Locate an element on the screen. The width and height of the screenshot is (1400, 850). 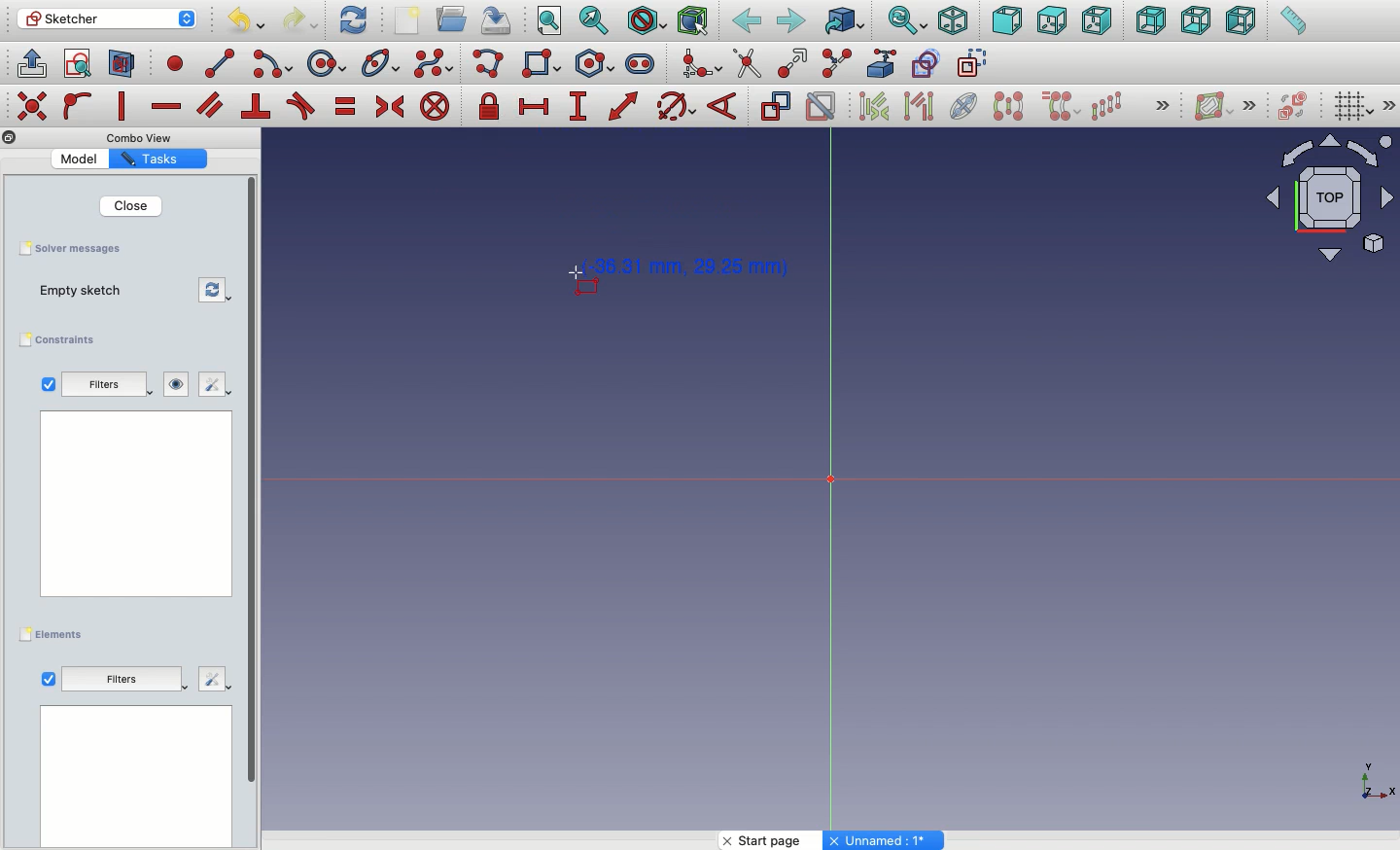
Constrain angle is located at coordinates (722, 106).